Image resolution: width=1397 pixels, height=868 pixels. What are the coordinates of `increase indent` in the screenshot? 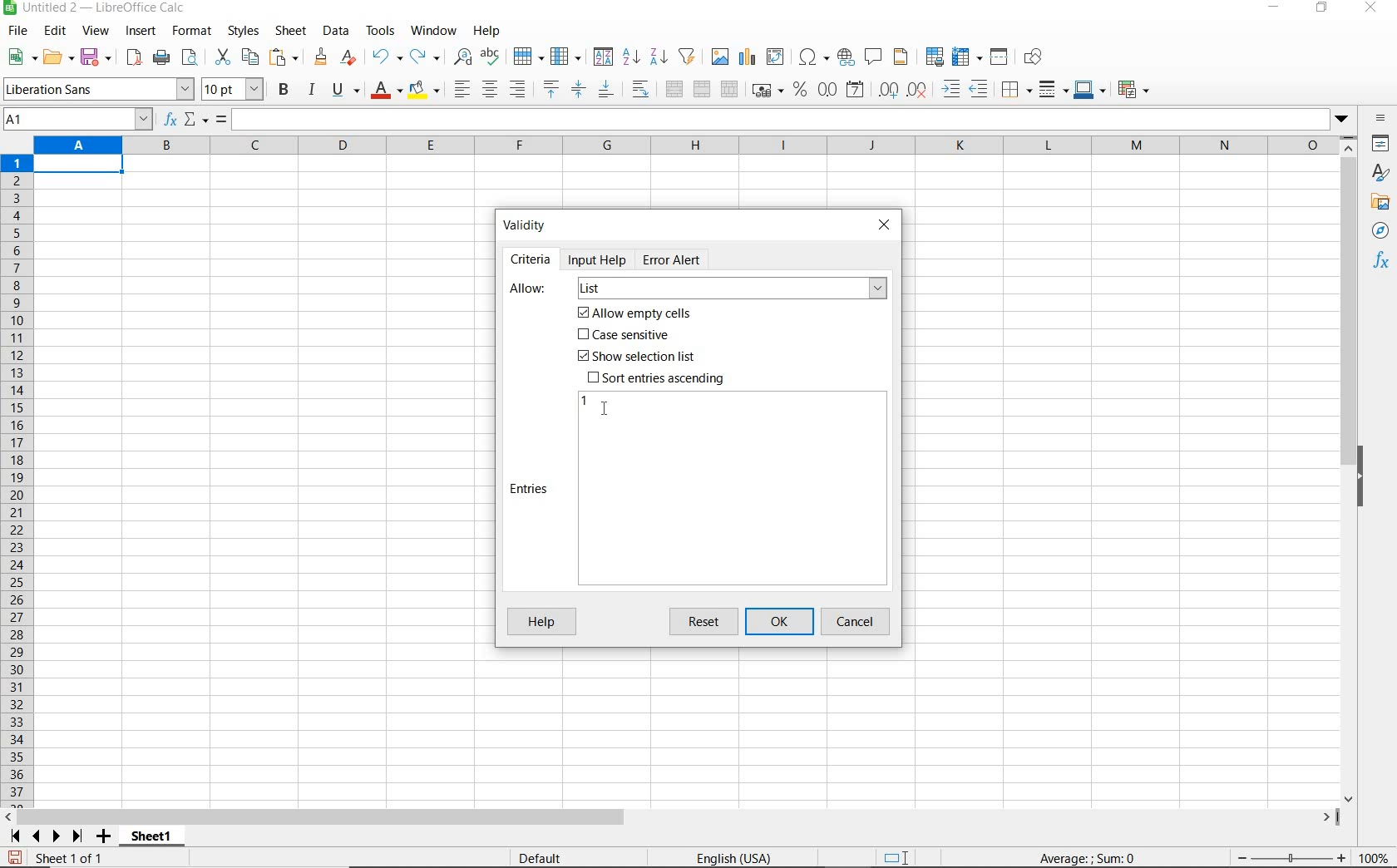 It's located at (952, 89).